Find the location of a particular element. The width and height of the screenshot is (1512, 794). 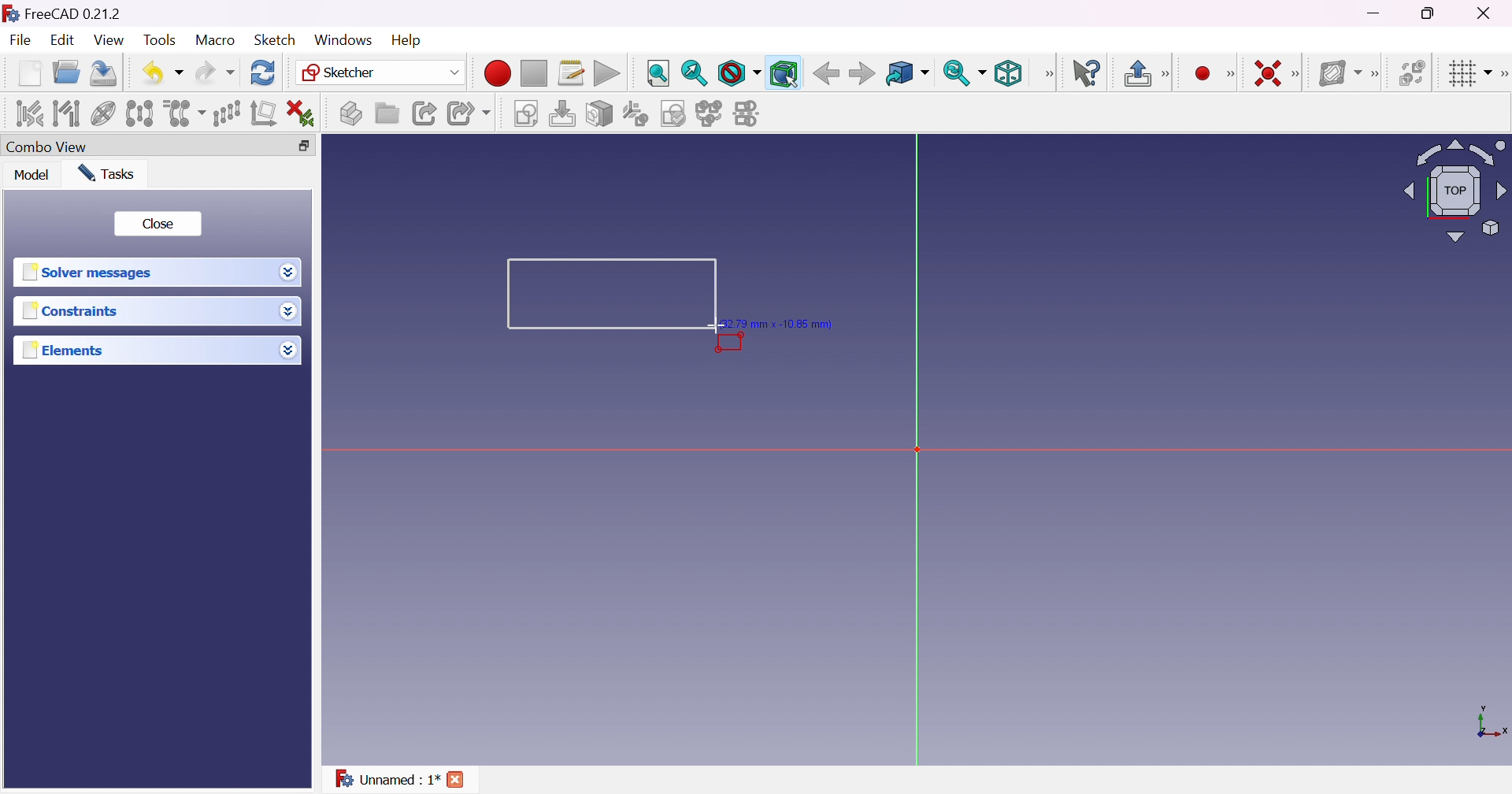

Make sub-link is located at coordinates (469, 113).